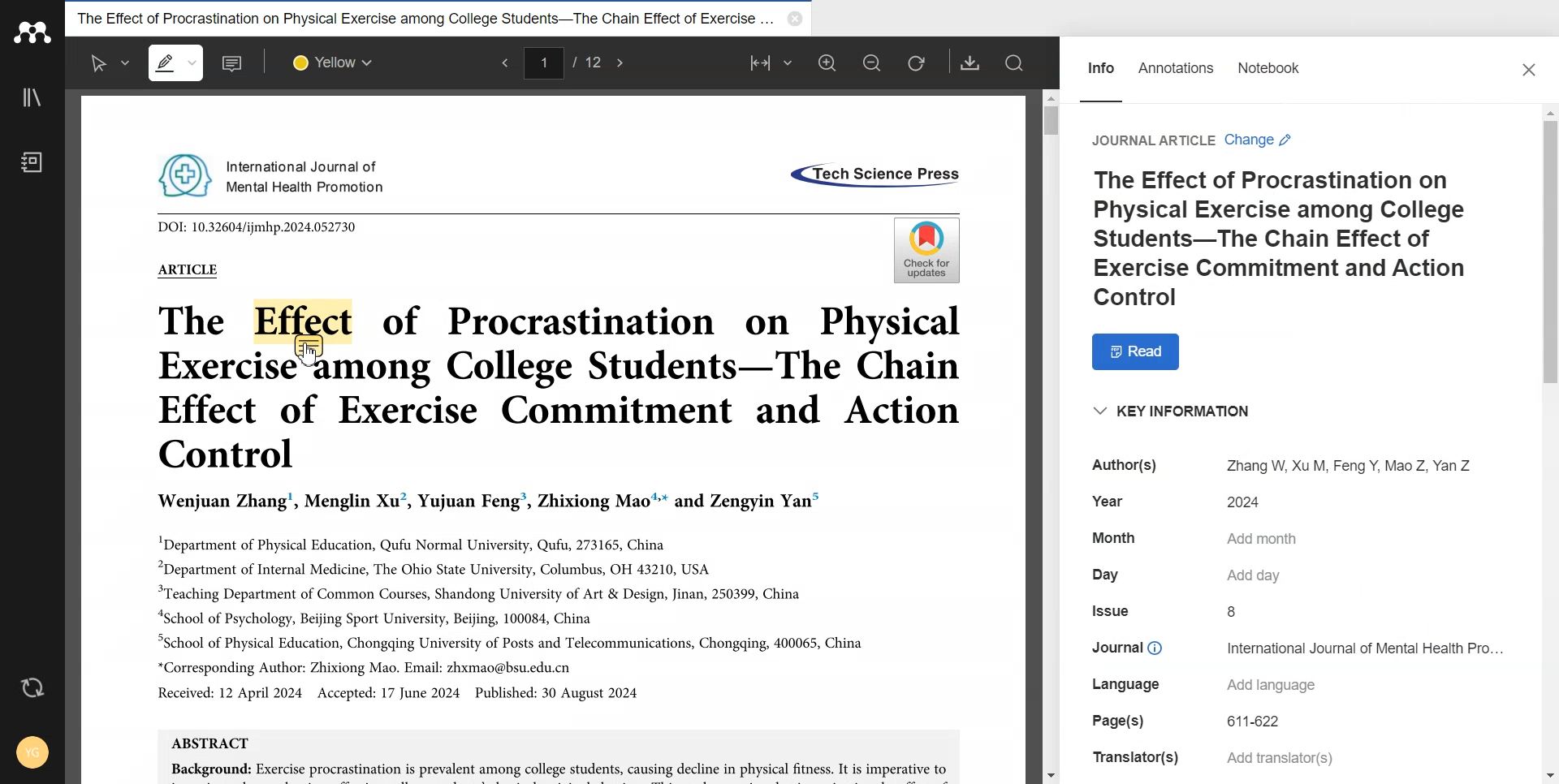 The height and width of the screenshot is (784, 1559). Describe the element at coordinates (502, 62) in the screenshot. I see `Previous` at that location.